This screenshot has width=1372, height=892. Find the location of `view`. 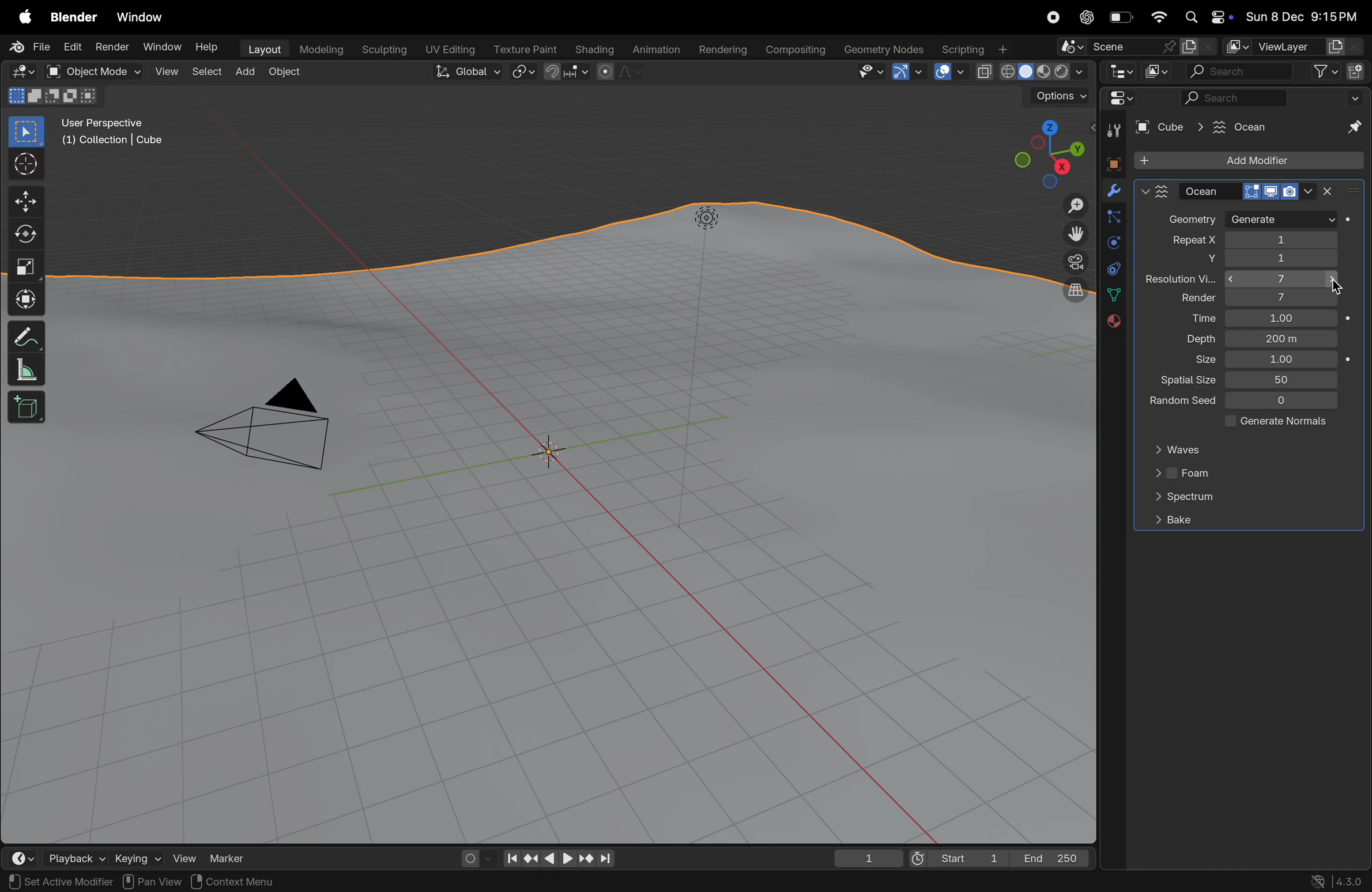

view is located at coordinates (183, 856).